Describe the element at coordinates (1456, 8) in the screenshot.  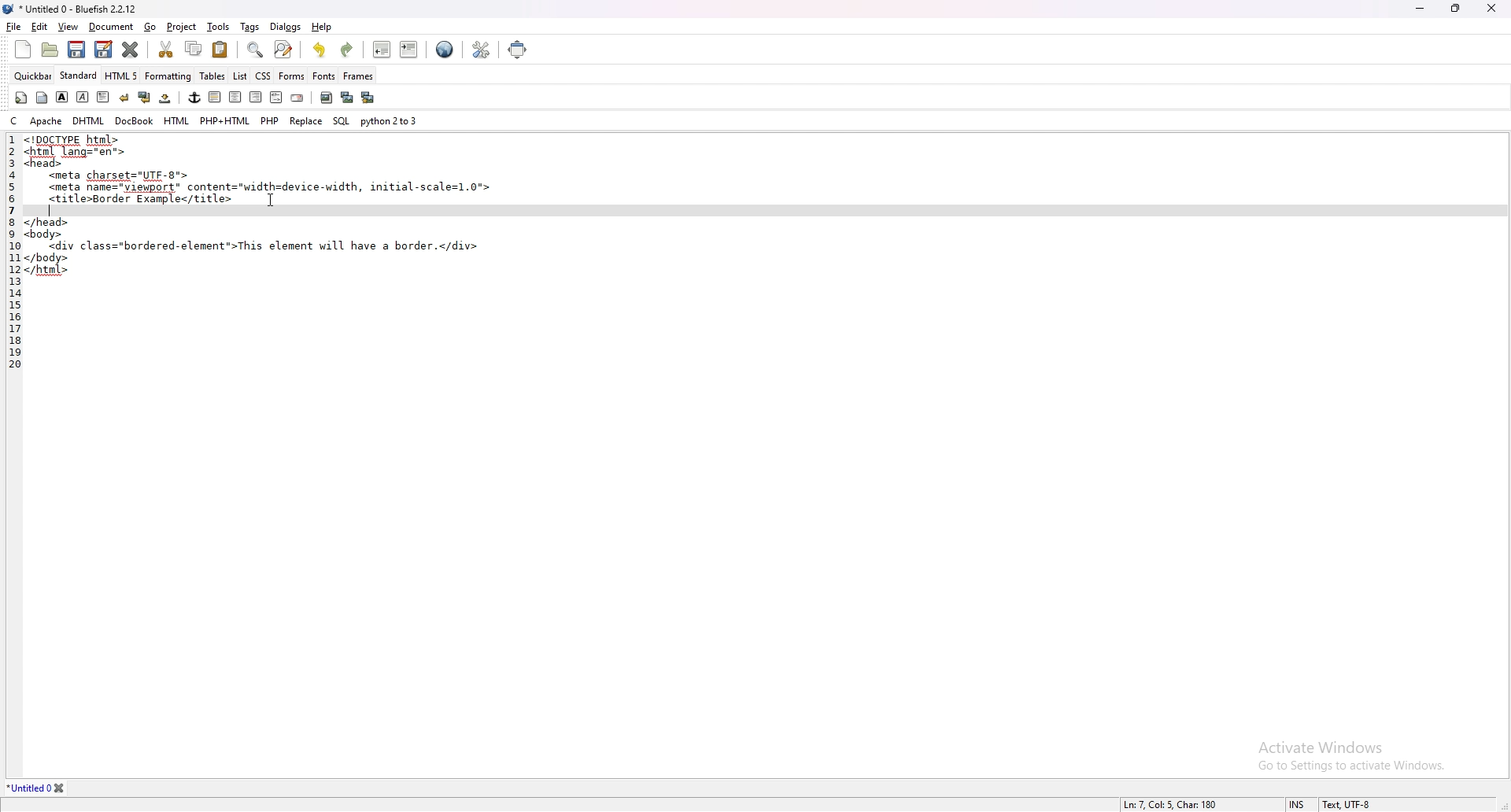
I see `resize` at that location.